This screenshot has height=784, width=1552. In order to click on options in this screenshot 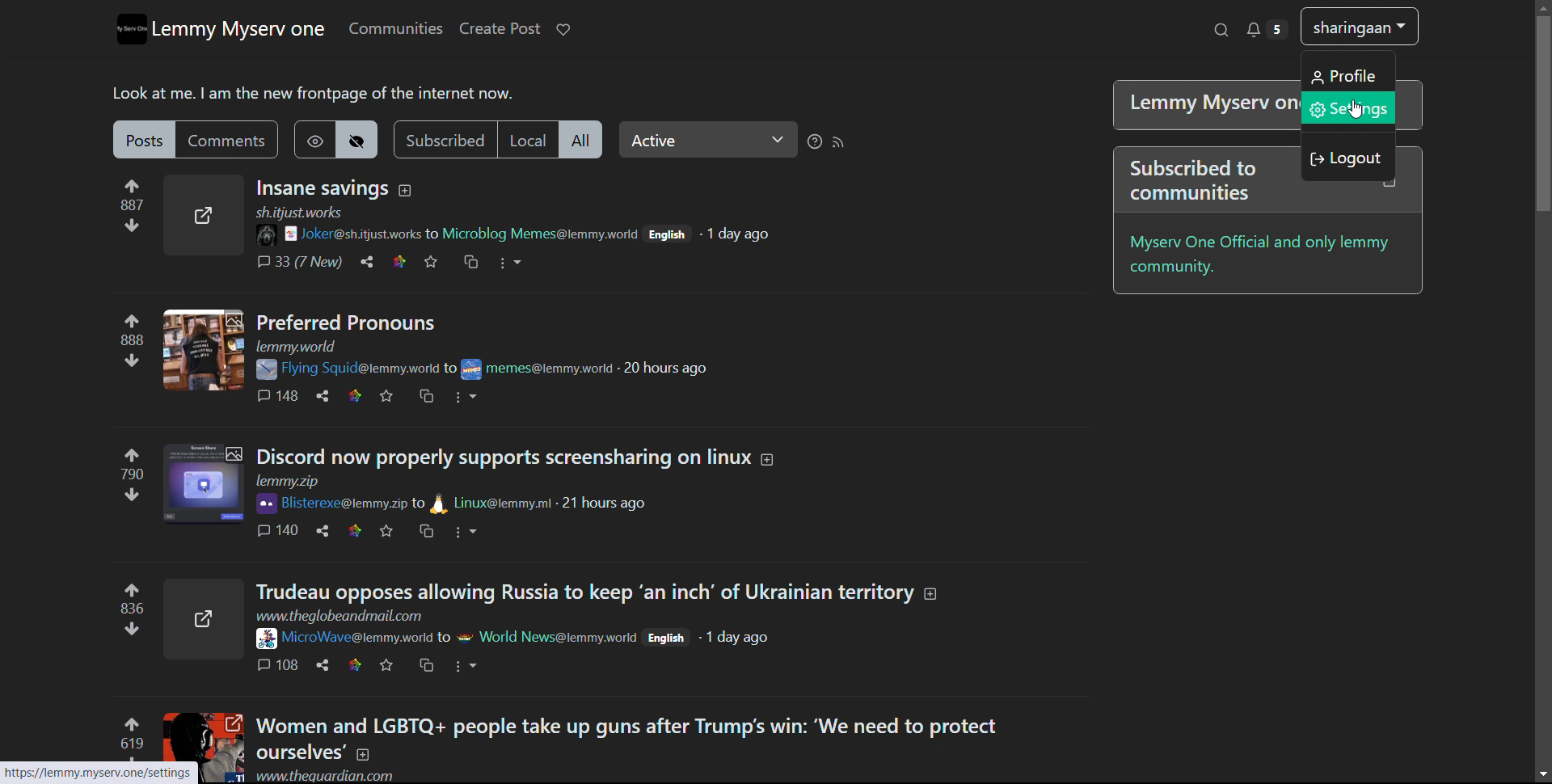, I will do `click(466, 666)`.